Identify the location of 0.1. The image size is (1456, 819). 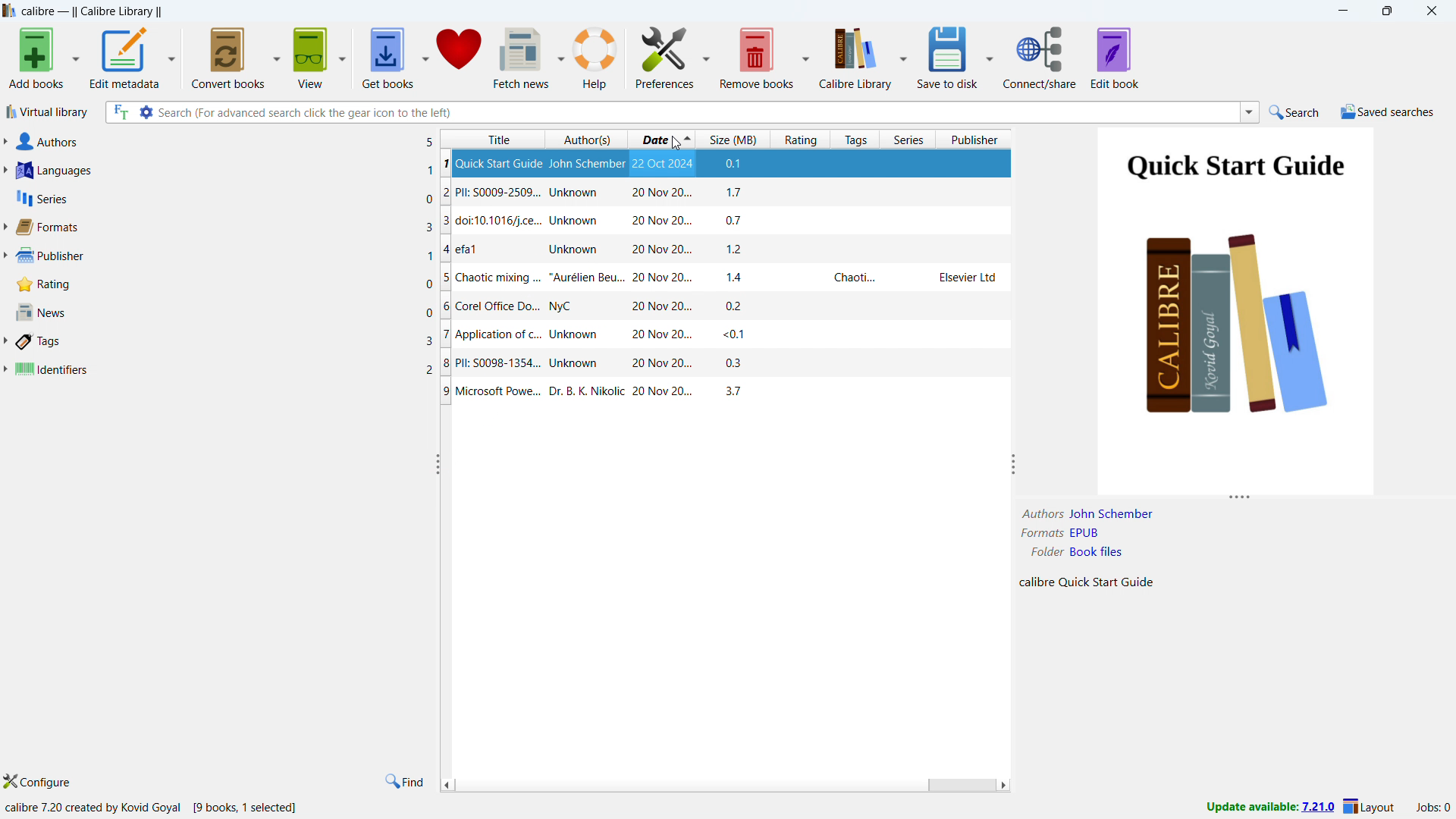
(739, 306).